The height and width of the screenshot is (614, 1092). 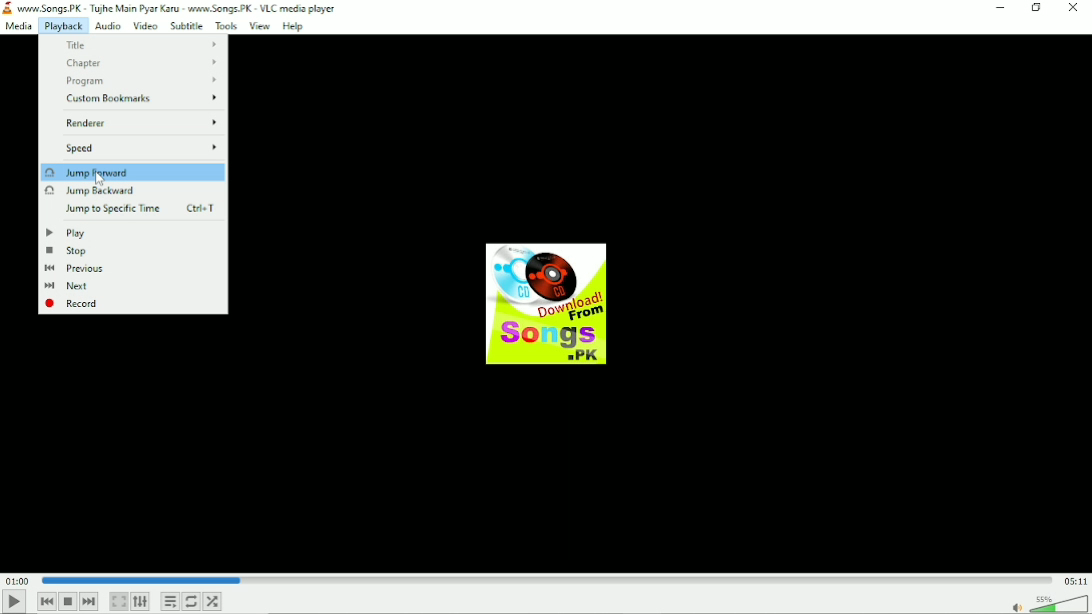 What do you see at coordinates (63, 26) in the screenshot?
I see `Playback` at bounding box center [63, 26].